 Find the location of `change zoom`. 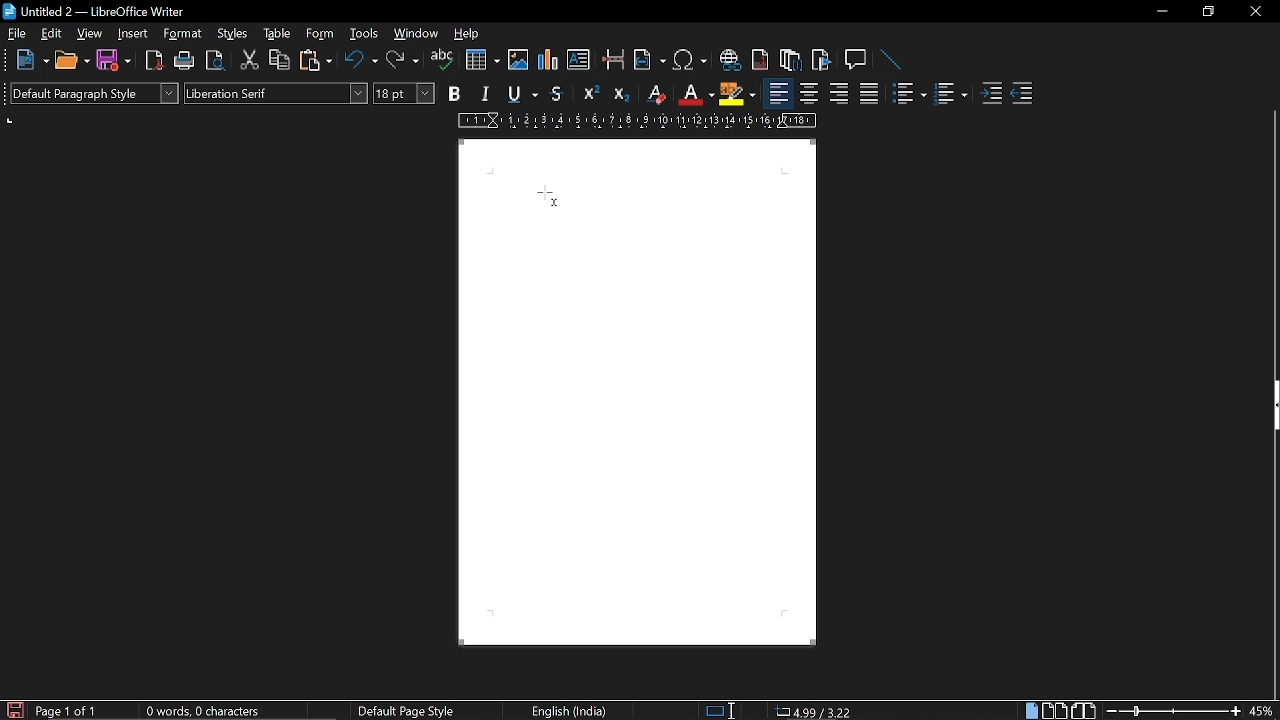

change zoom is located at coordinates (1173, 711).